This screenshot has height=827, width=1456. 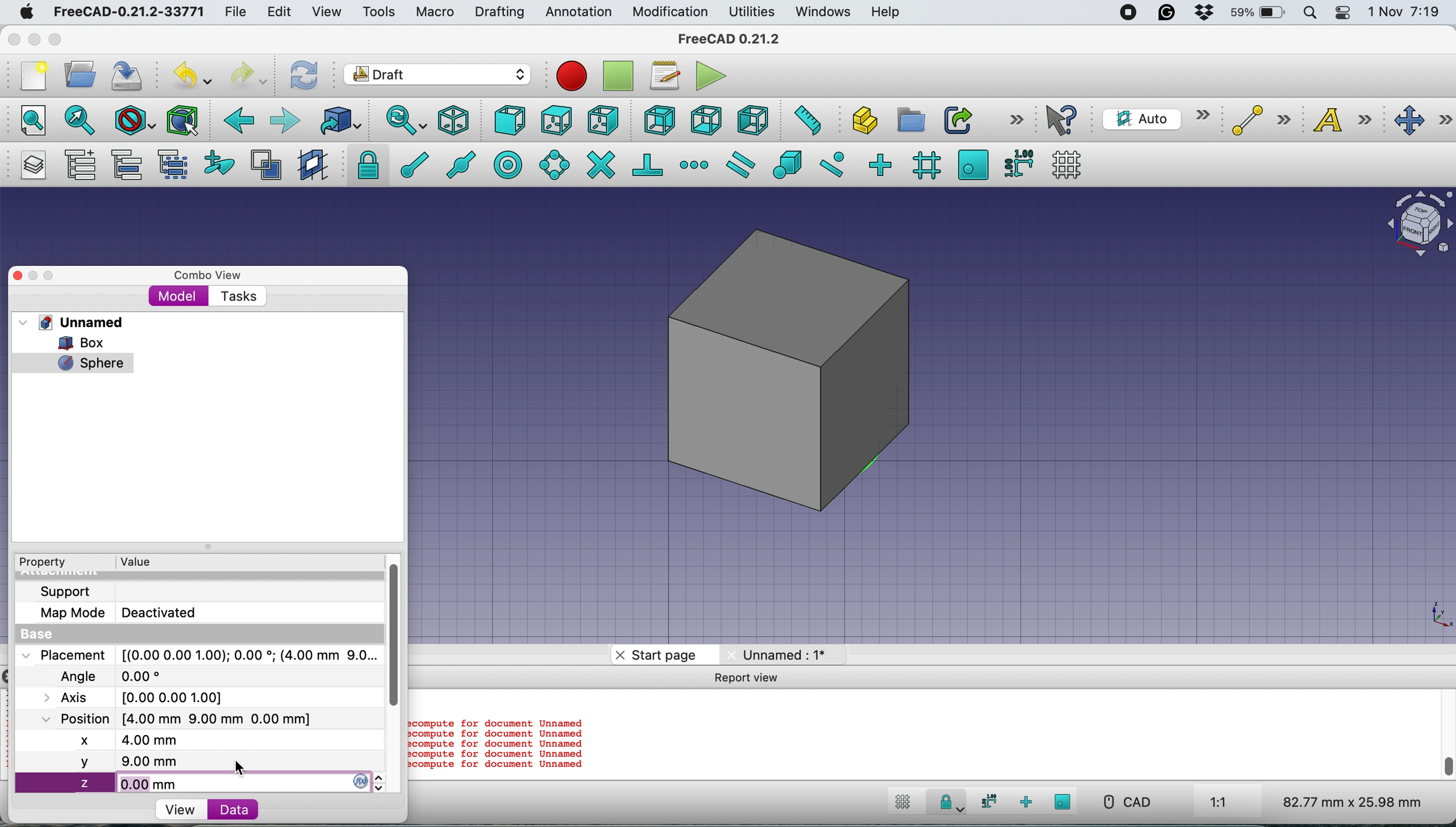 I want to click on snap lock, so click(x=946, y=804).